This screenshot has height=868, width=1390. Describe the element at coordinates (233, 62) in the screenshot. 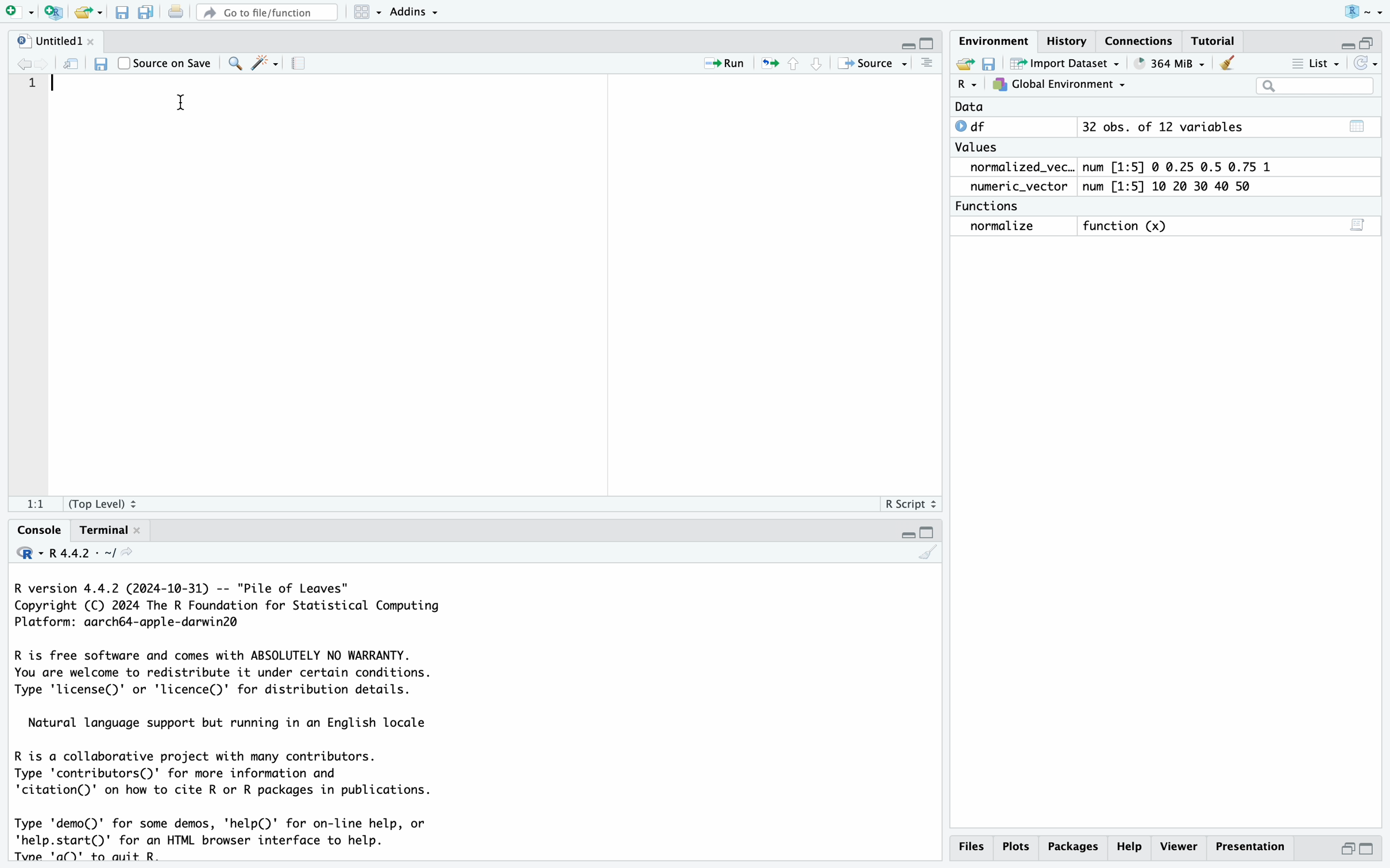

I see `Zoom` at that location.